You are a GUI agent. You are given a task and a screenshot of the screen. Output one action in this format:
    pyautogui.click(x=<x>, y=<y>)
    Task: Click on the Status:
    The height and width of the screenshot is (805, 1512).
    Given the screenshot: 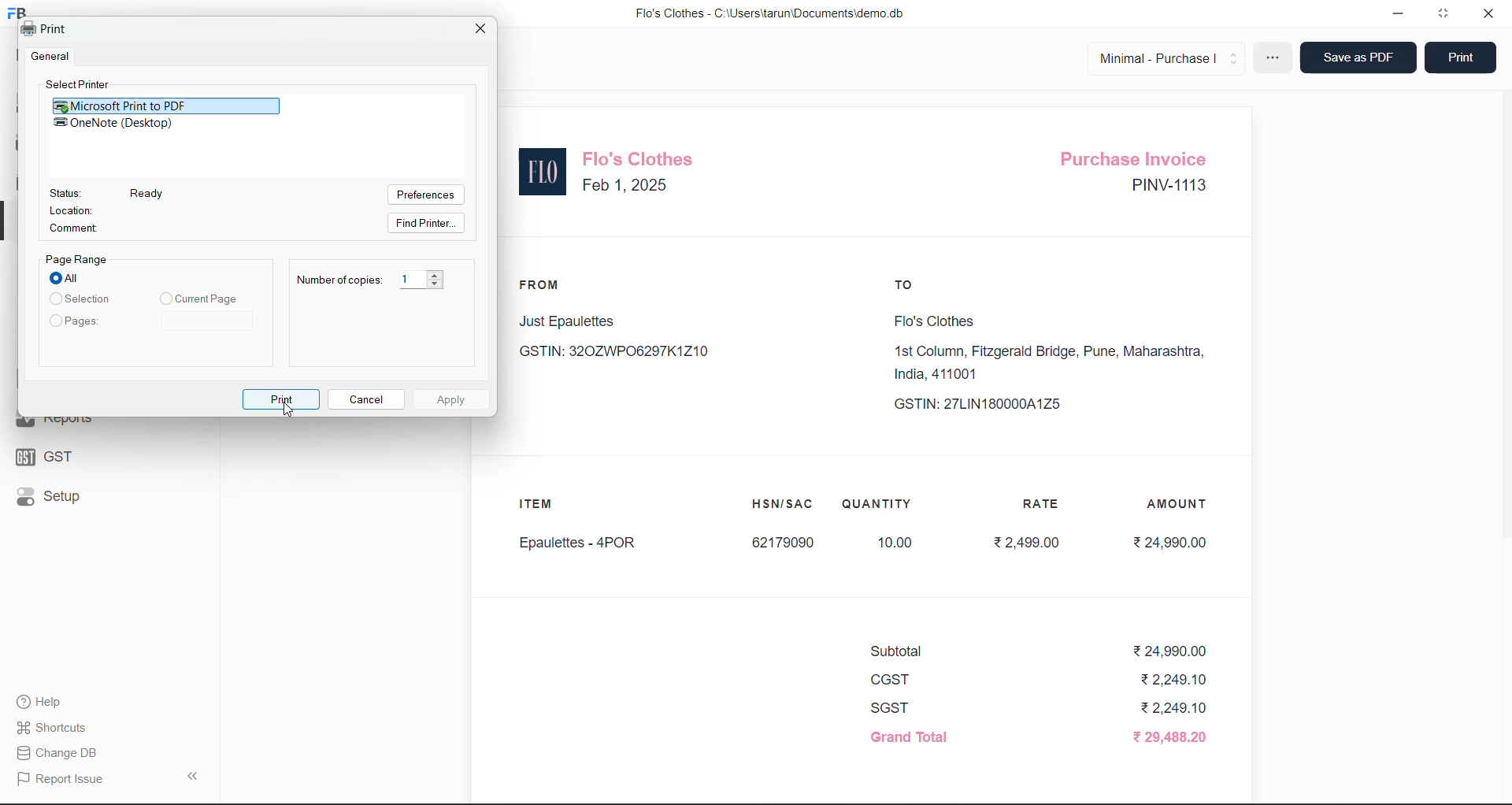 What is the action you would take?
    pyautogui.click(x=64, y=193)
    